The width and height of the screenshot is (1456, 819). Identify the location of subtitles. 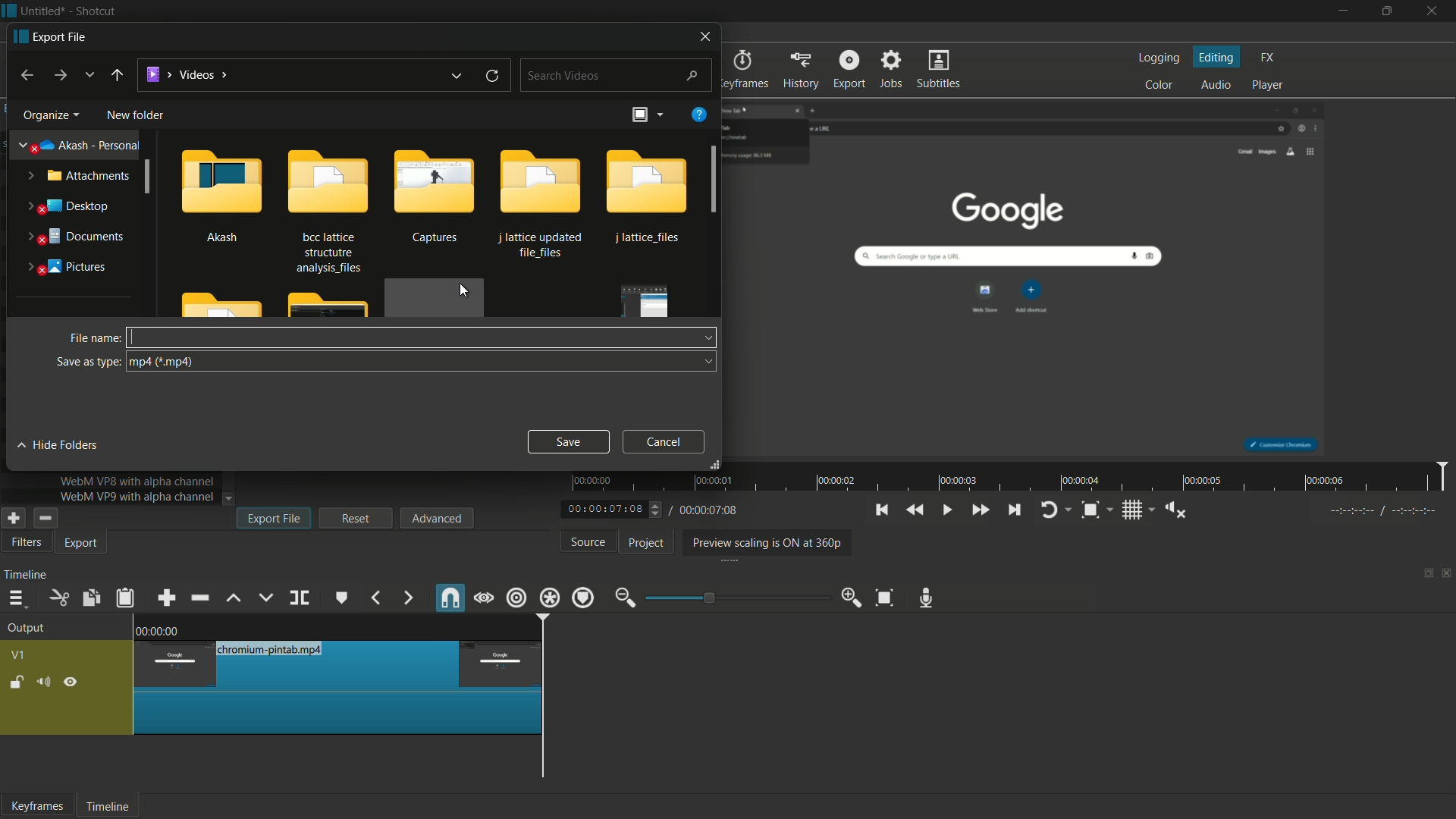
(940, 68).